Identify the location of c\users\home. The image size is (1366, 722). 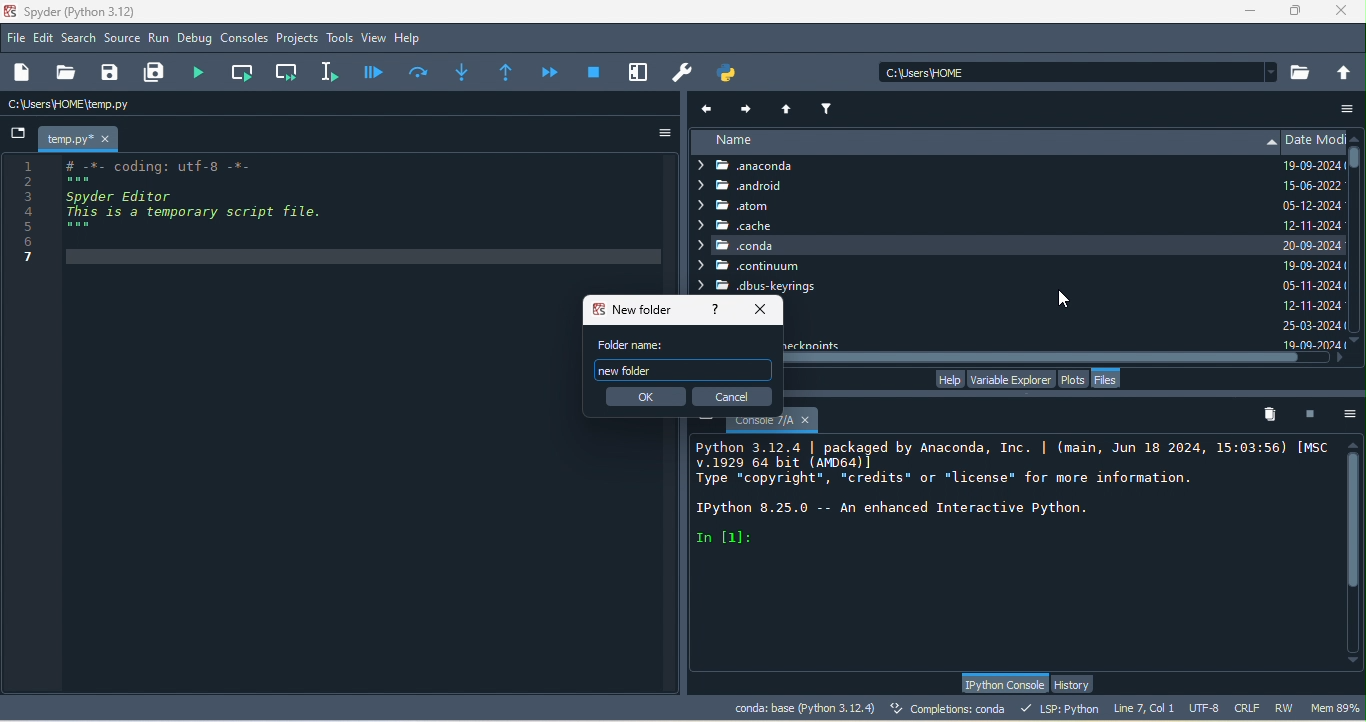
(126, 105).